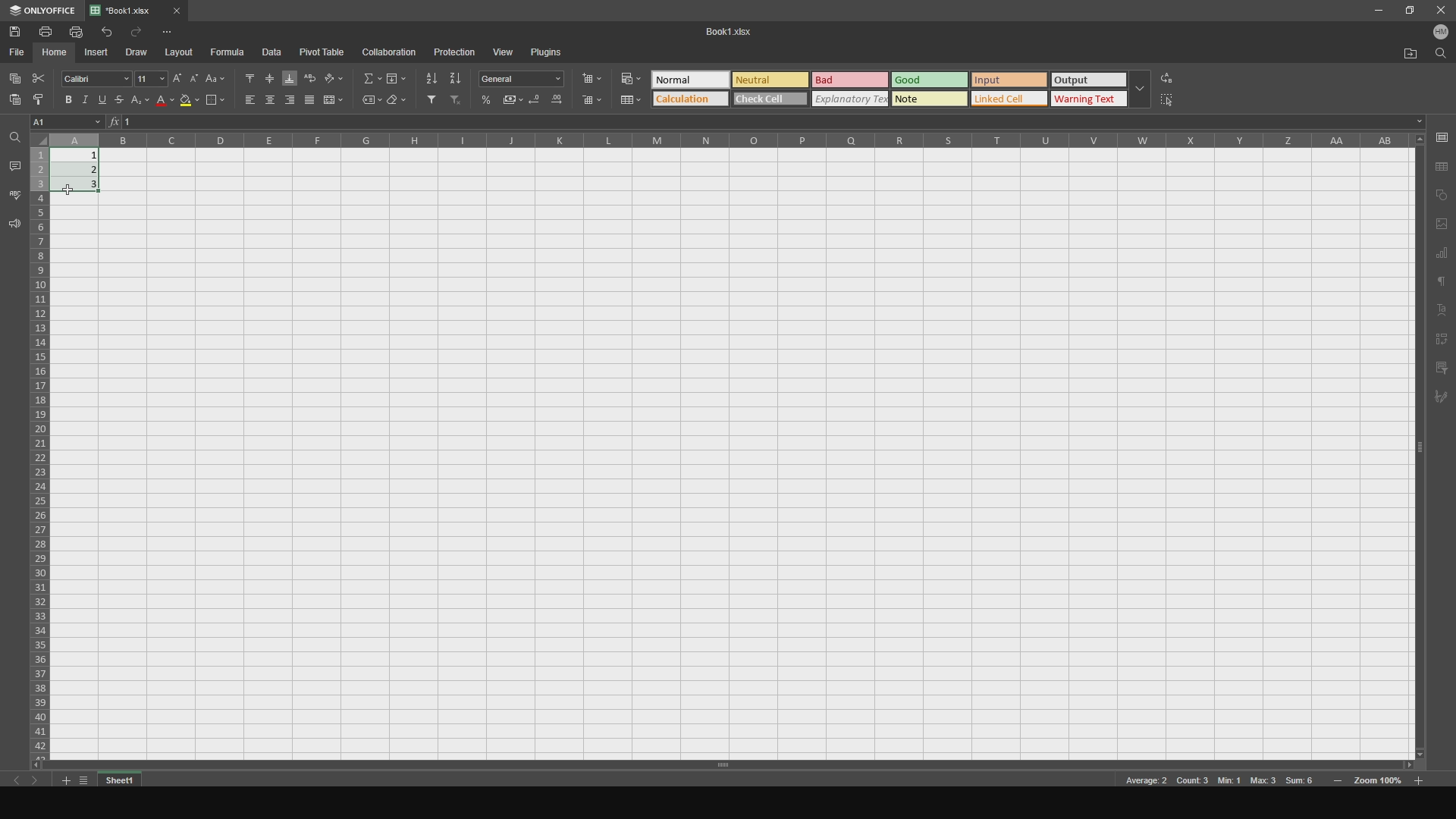 The image size is (1456, 819). Describe the element at coordinates (165, 102) in the screenshot. I see `font color` at that location.